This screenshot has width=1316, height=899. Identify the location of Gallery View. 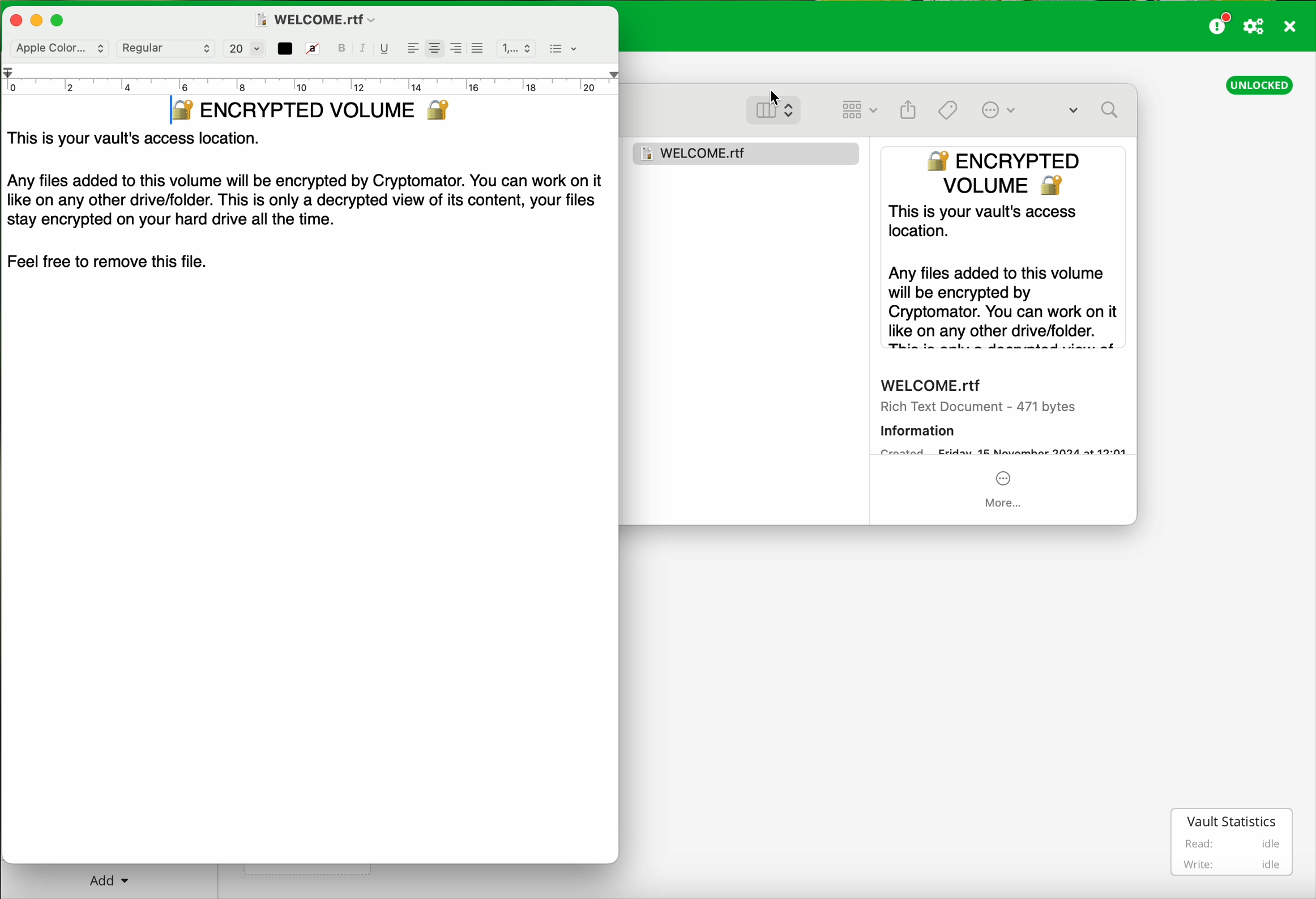
(908, 106).